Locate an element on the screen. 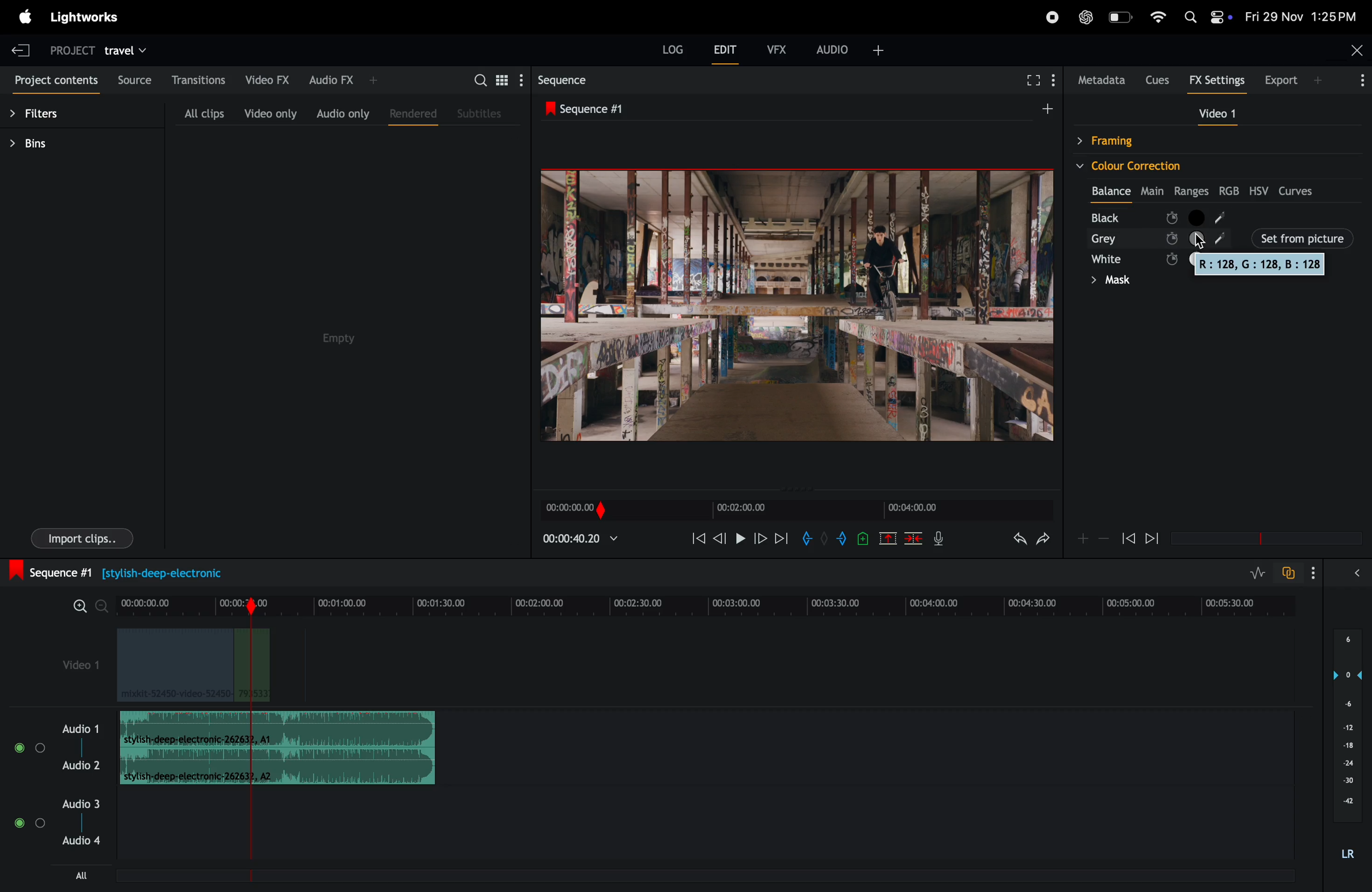  transitions is located at coordinates (199, 79).